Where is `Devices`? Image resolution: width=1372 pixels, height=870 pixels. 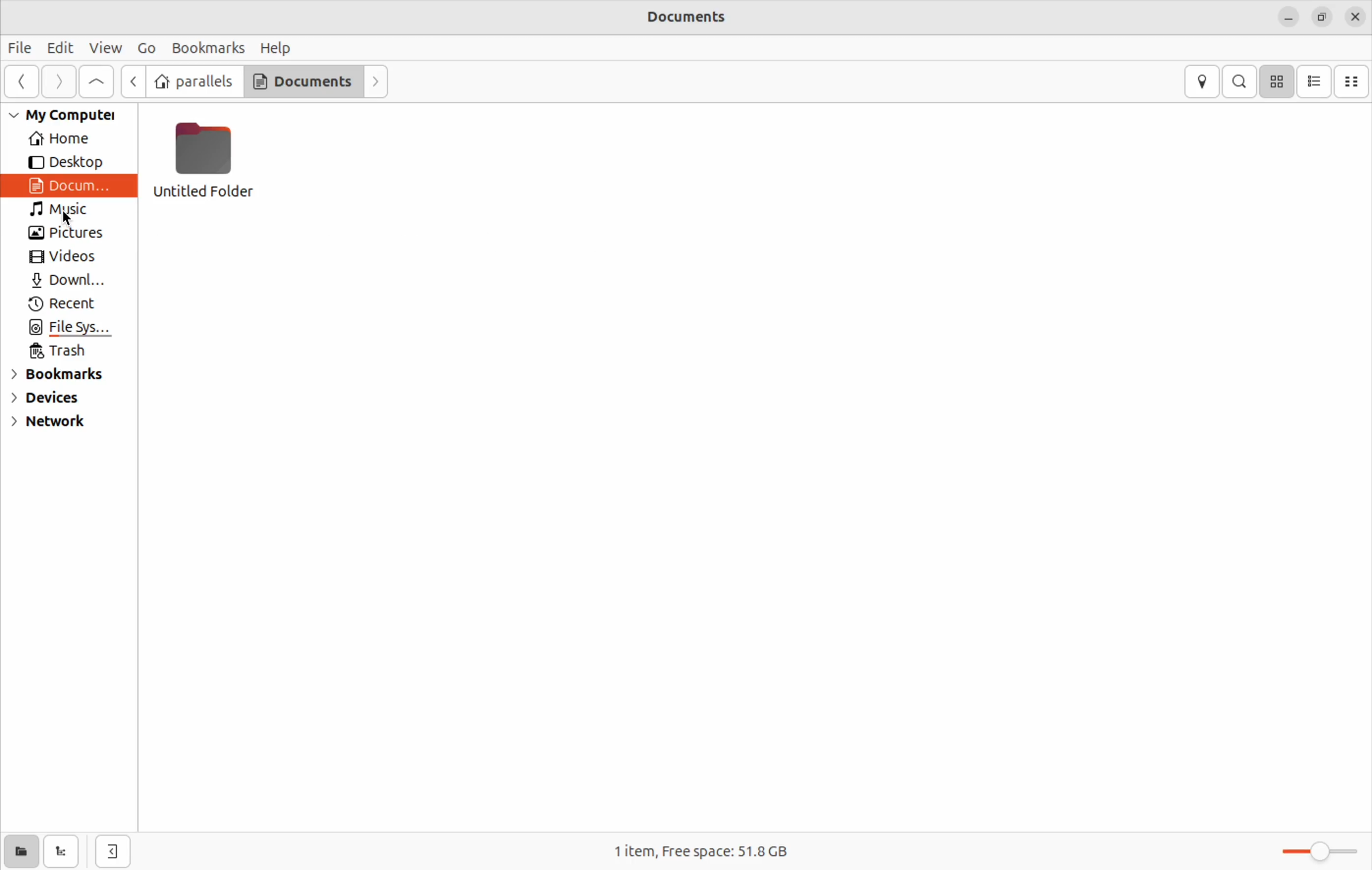 Devices is located at coordinates (52, 401).